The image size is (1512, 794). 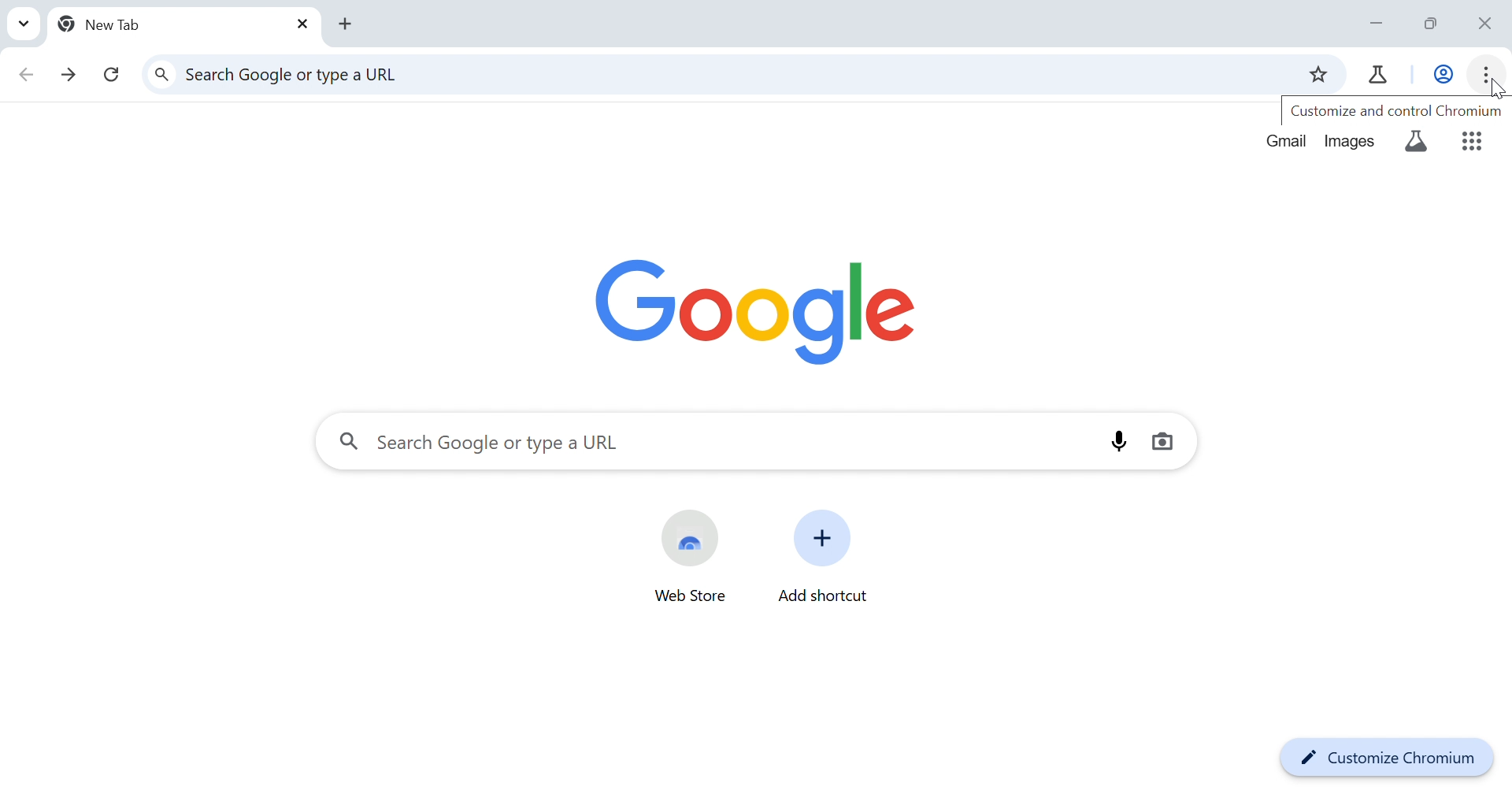 What do you see at coordinates (826, 596) in the screenshot?
I see `Add shortcut` at bounding box center [826, 596].